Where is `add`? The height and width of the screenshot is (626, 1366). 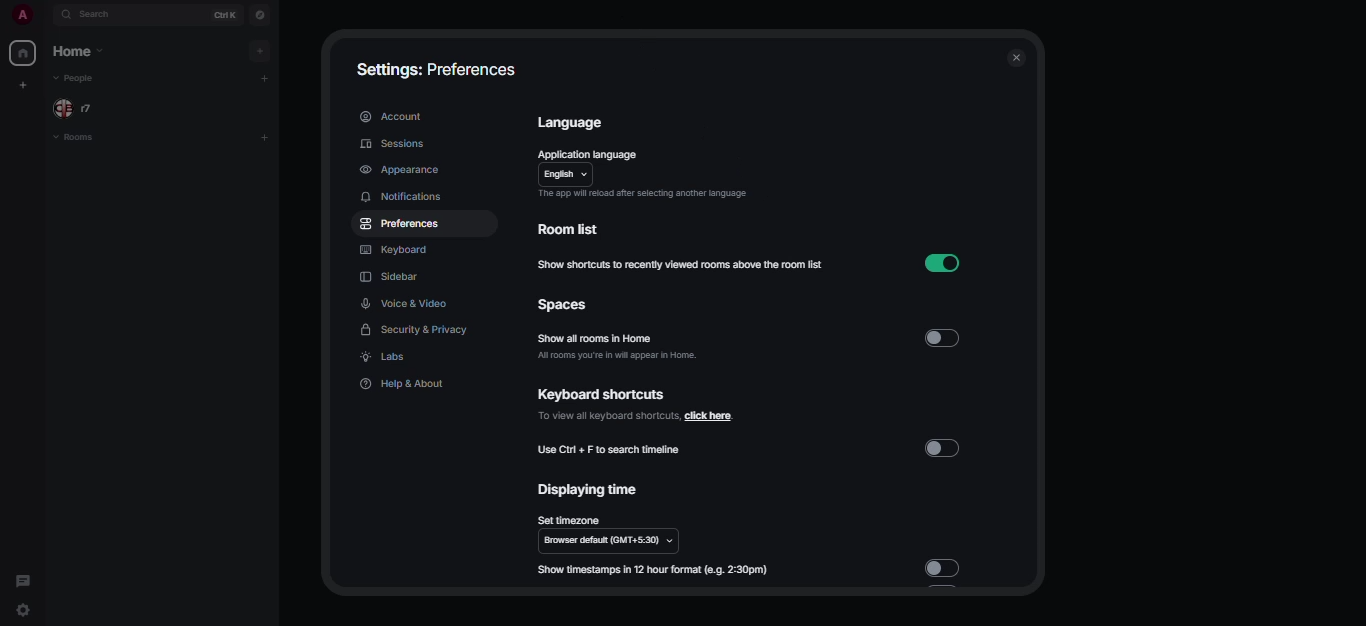 add is located at coordinates (265, 78).